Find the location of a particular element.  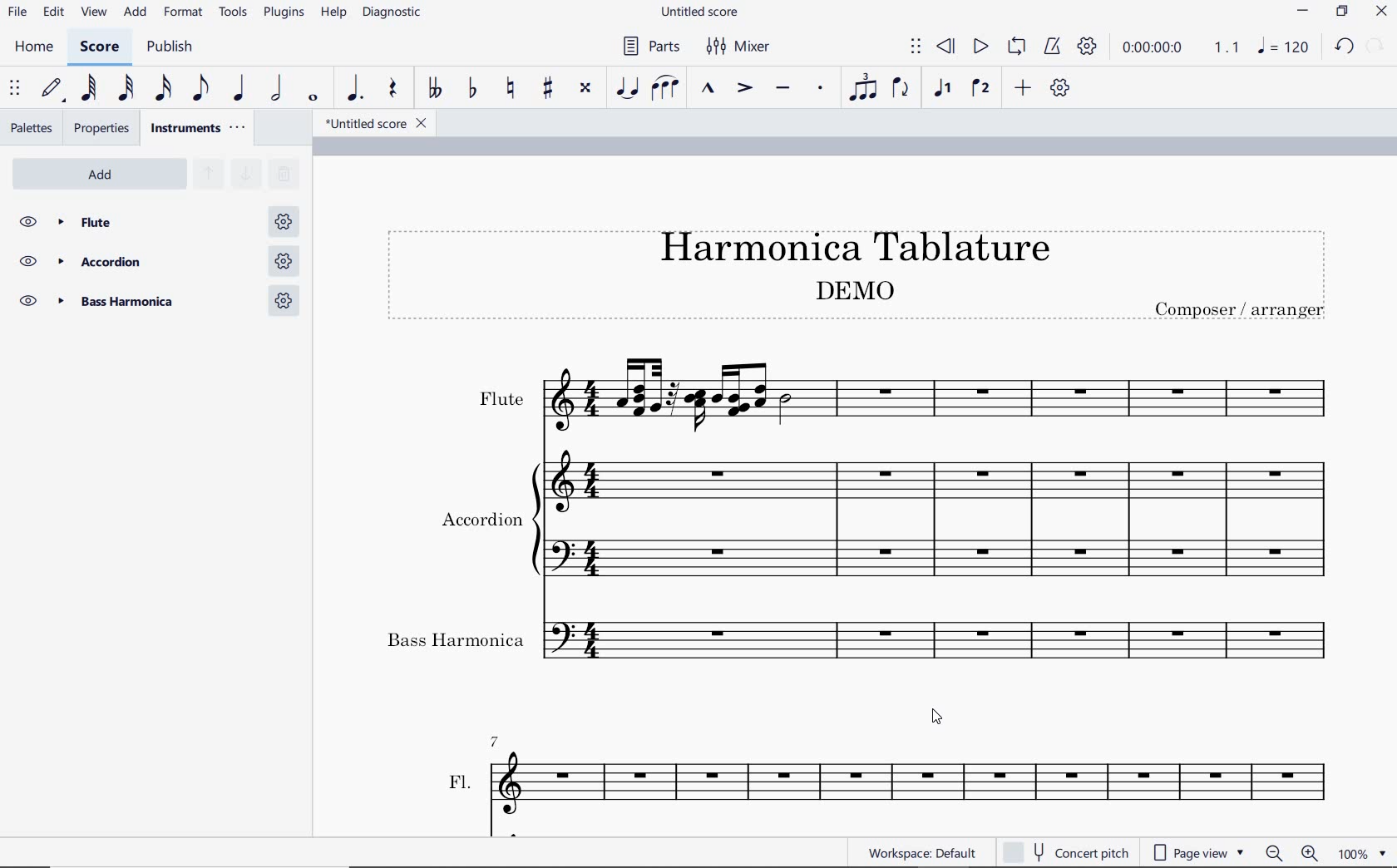

Playback speed is located at coordinates (1228, 47).